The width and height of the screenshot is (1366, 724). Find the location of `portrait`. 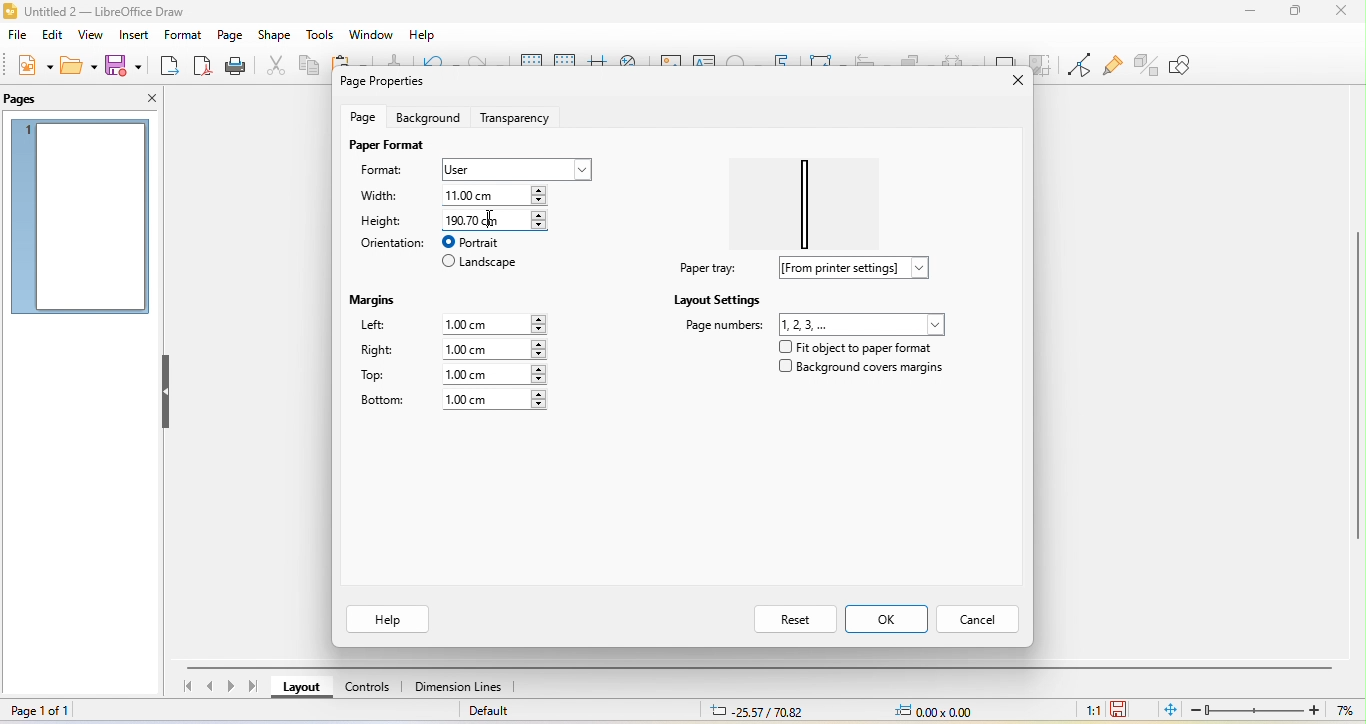

portrait is located at coordinates (483, 242).